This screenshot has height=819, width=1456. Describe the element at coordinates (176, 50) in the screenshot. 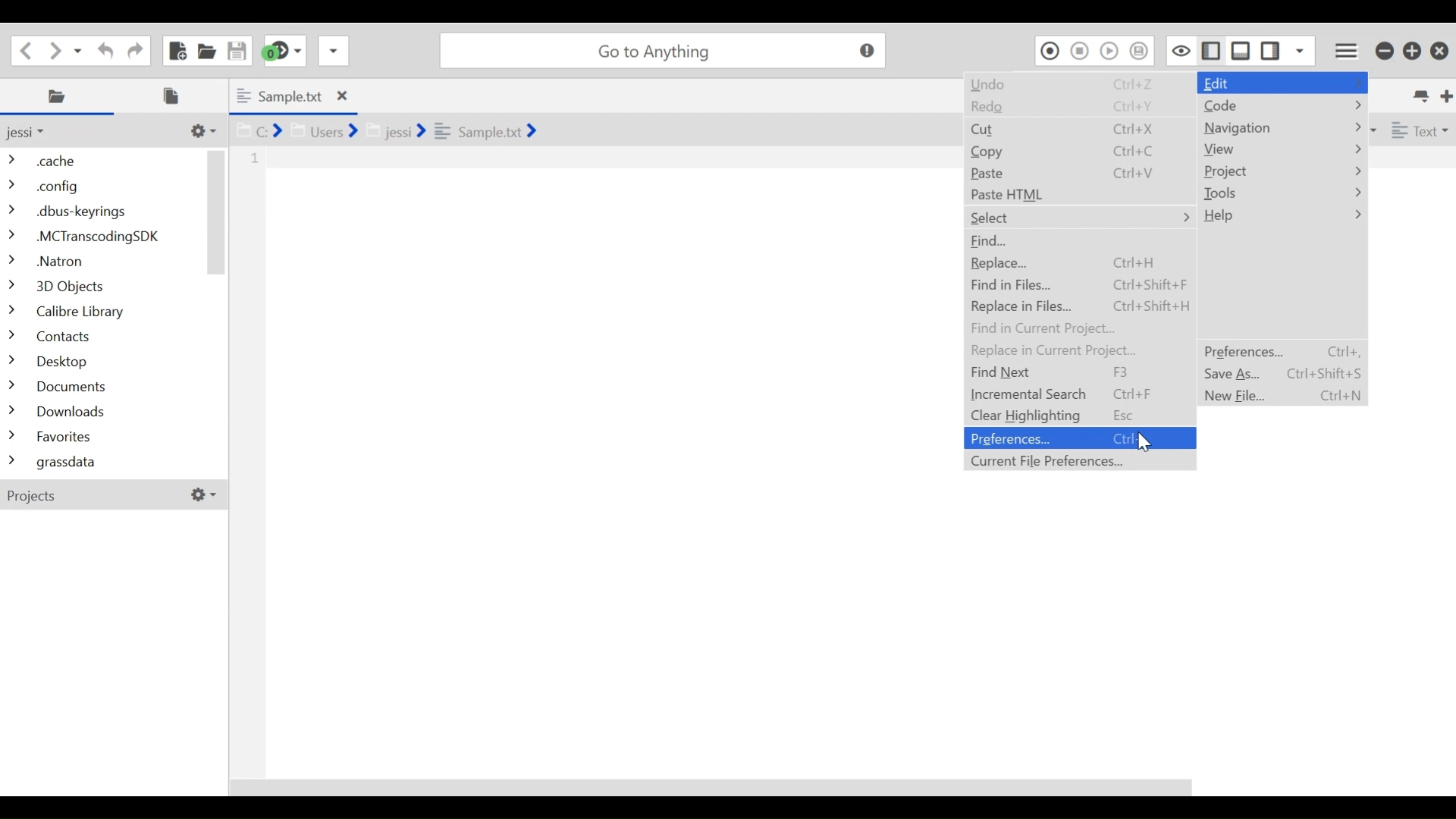

I see `New File` at that location.